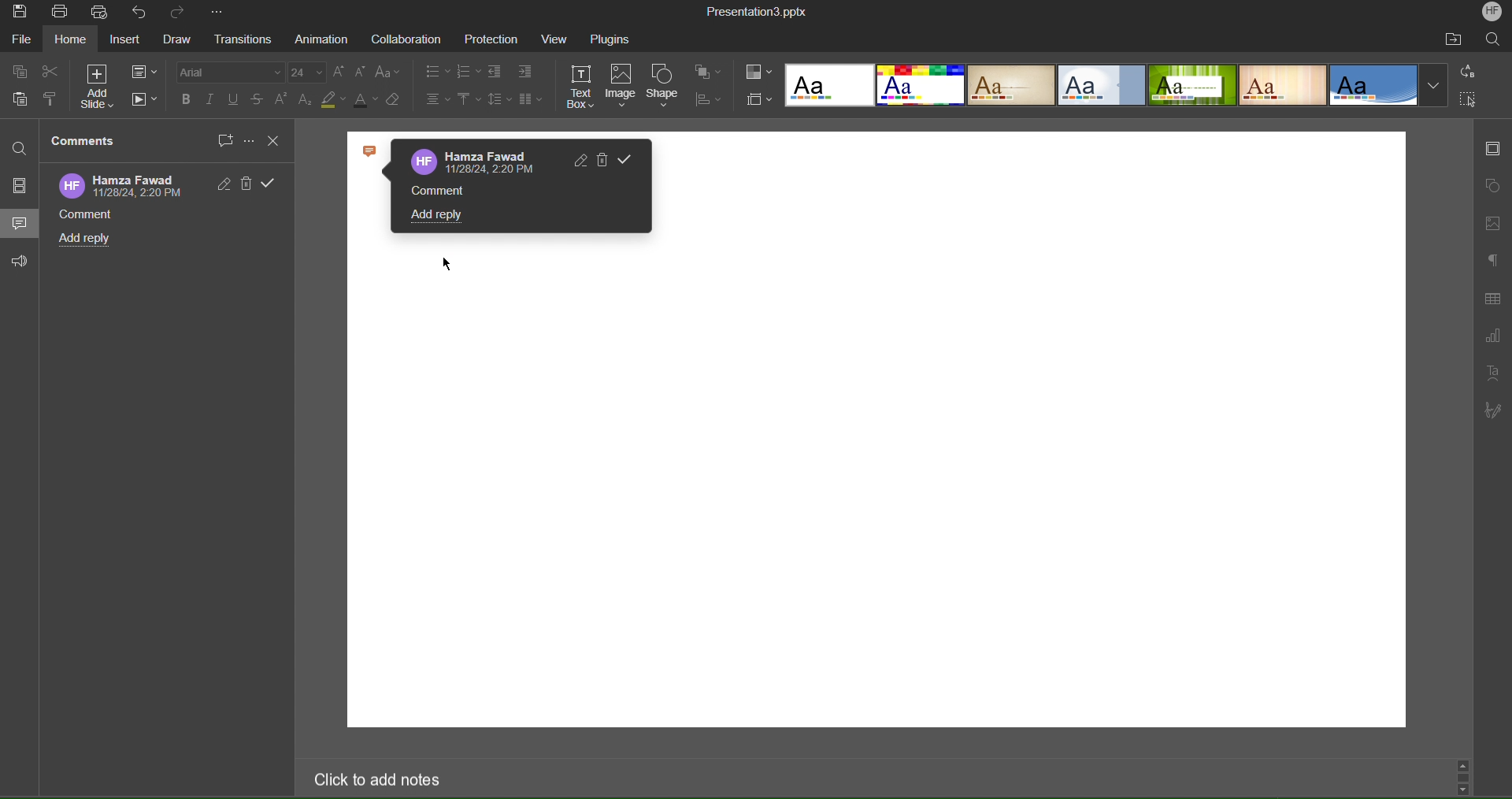  Describe the element at coordinates (421, 161) in the screenshot. I see `logo` at that location.